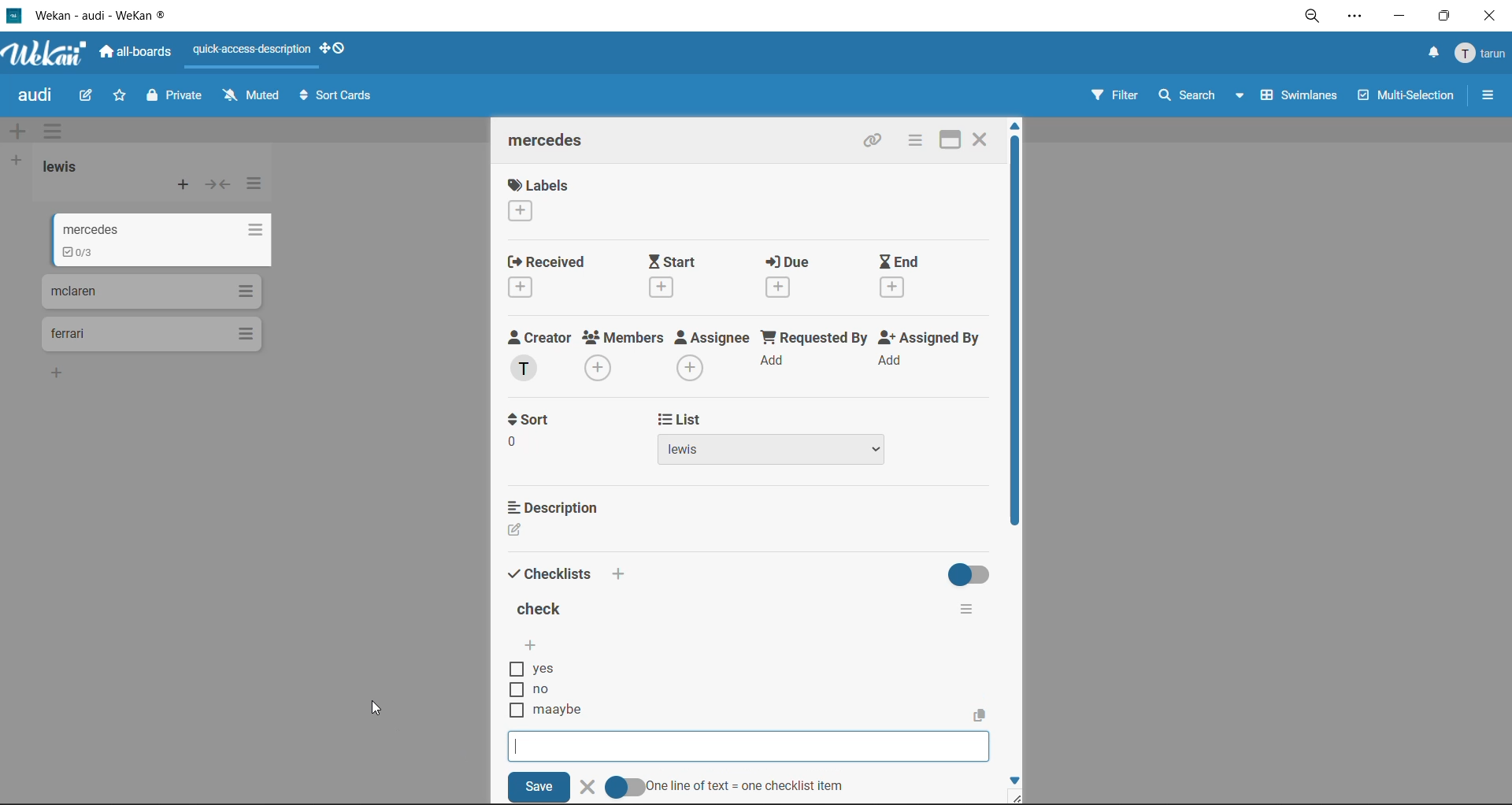 The height and width of the screenshot is (805, 1512). I want to click on description, so click(556, 523).